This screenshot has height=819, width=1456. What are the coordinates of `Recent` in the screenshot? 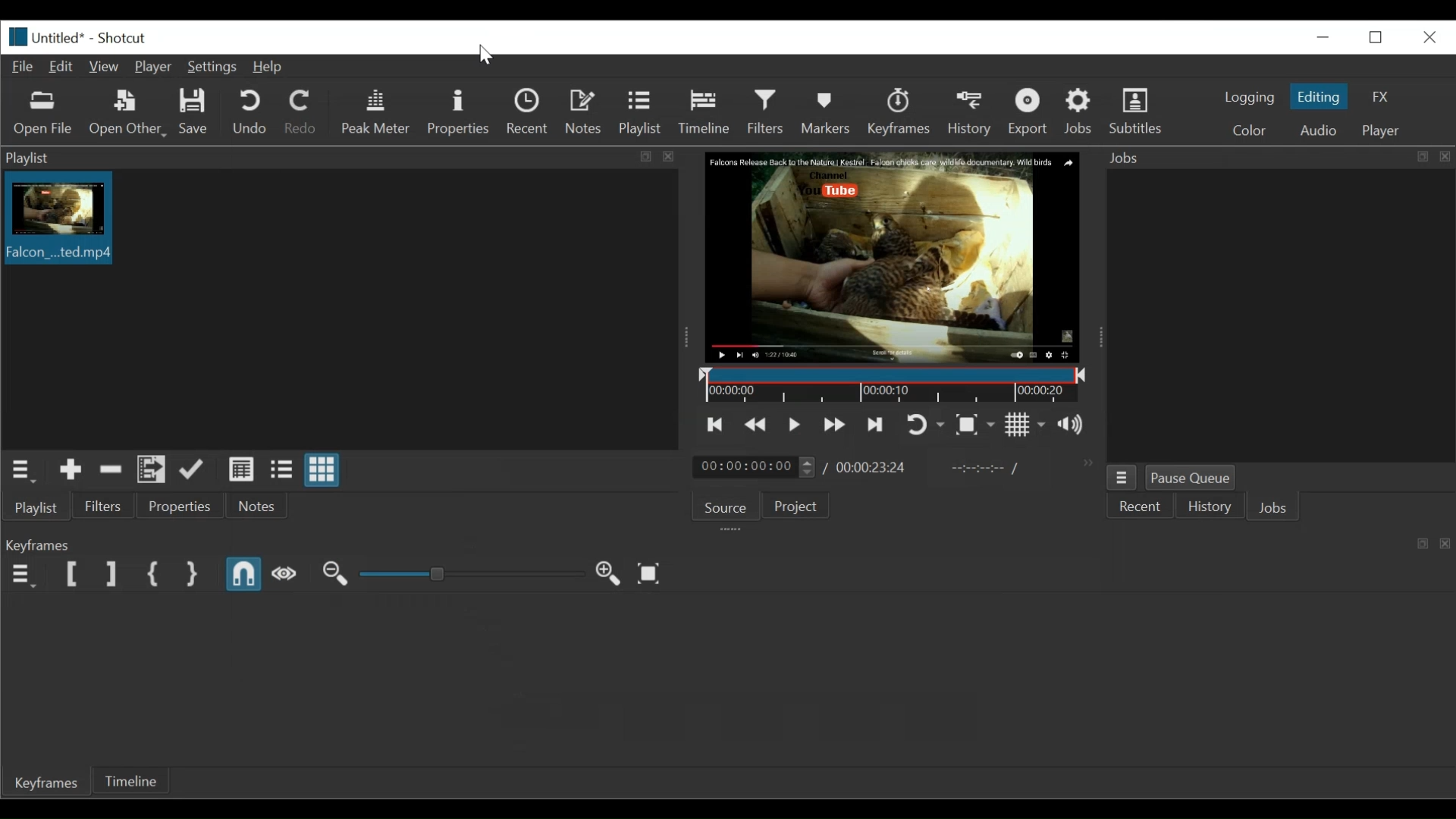 It's located at (529, 111).